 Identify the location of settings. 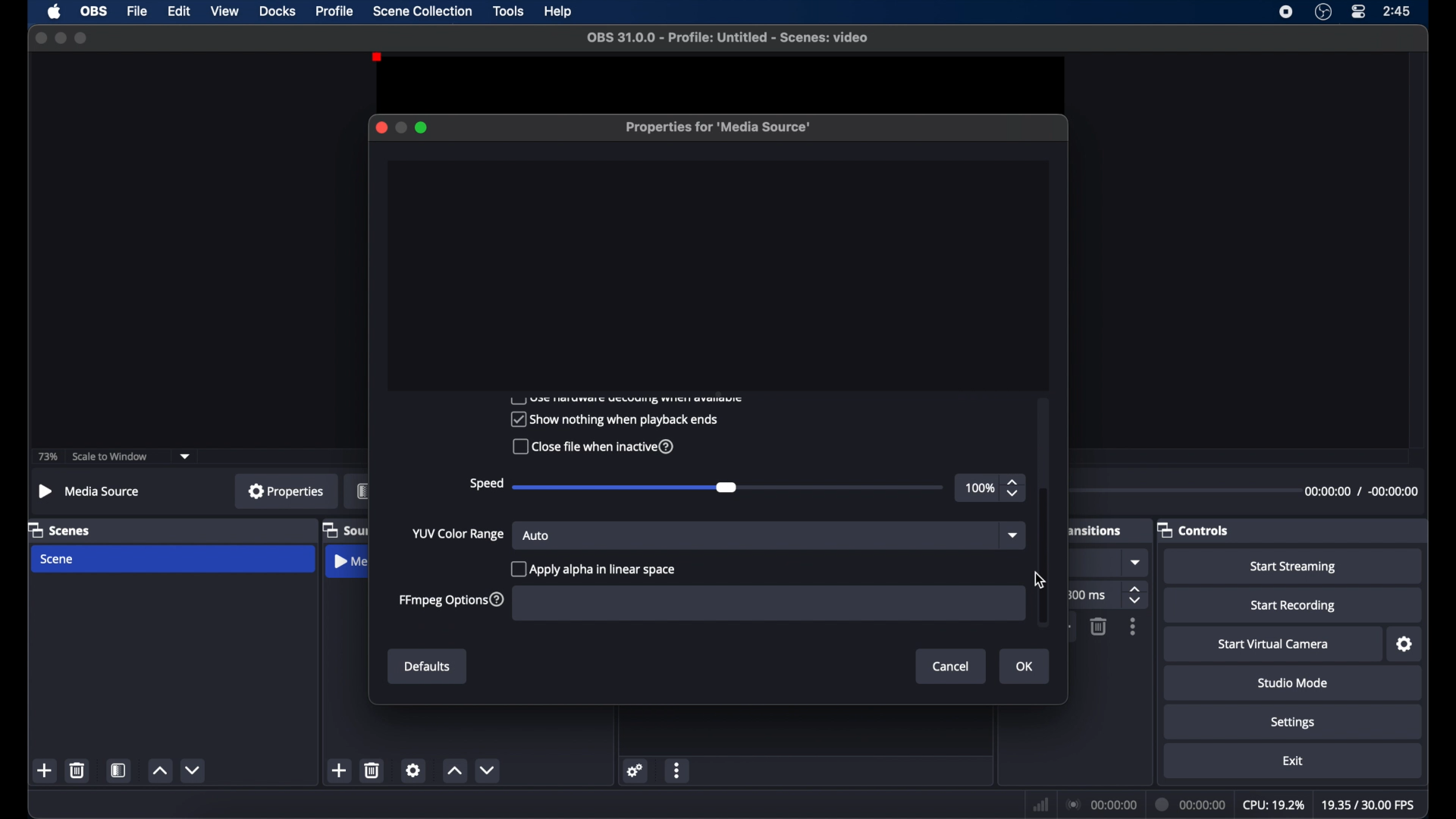
(1405, 645).